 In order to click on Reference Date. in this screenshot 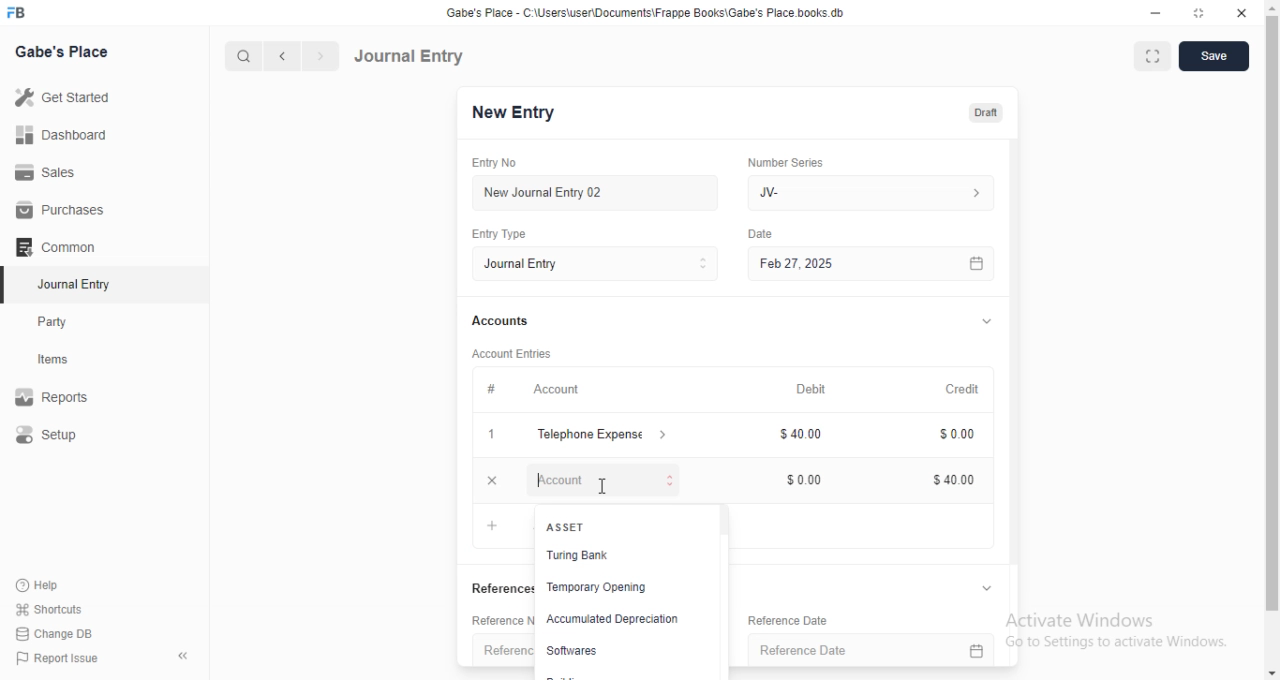, I will do `click(879, 647)`.